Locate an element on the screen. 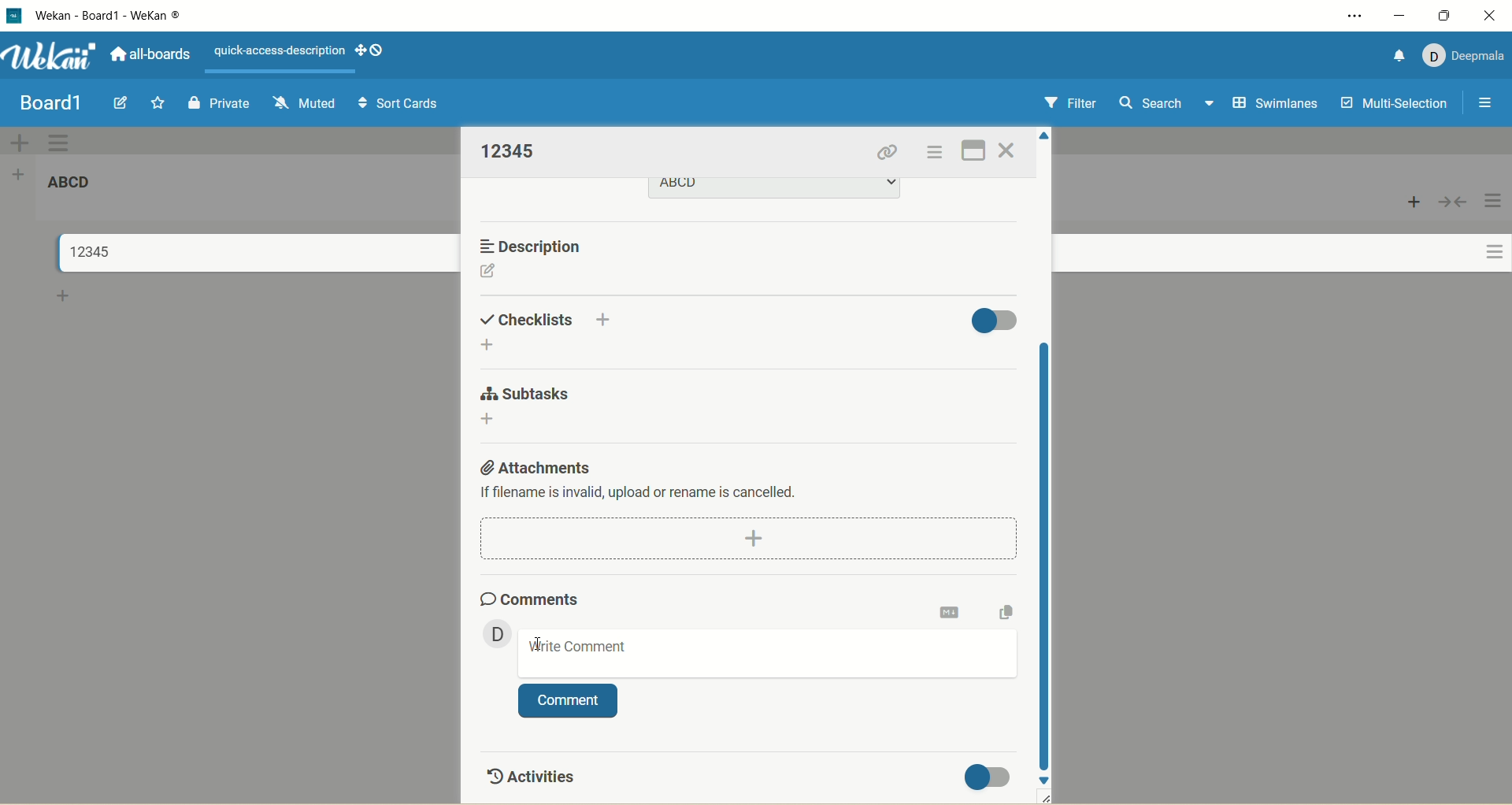  copy card link to clipboard is located at coordinates (888, 154).